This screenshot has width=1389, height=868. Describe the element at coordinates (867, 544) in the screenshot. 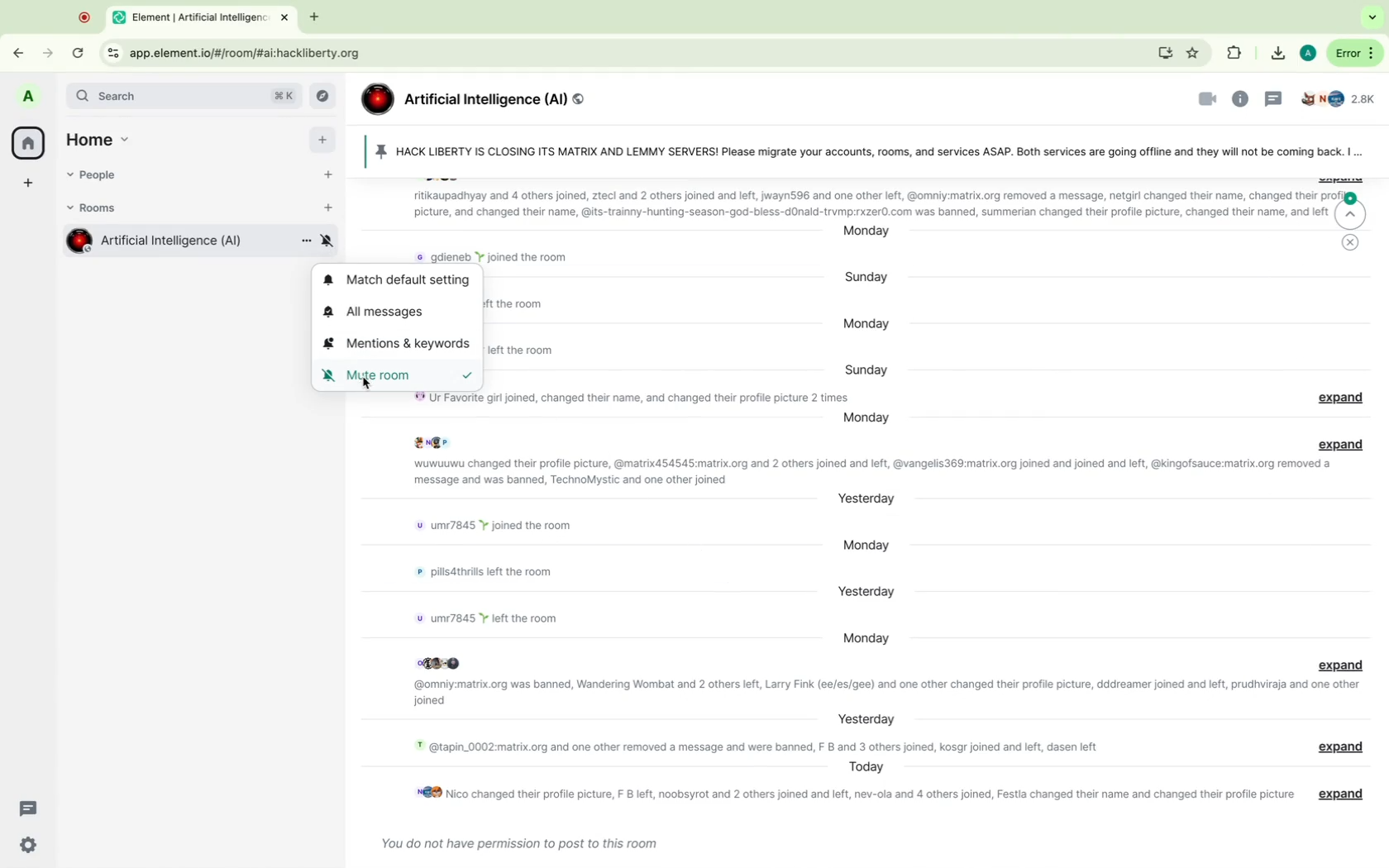

I see `day` at that location.